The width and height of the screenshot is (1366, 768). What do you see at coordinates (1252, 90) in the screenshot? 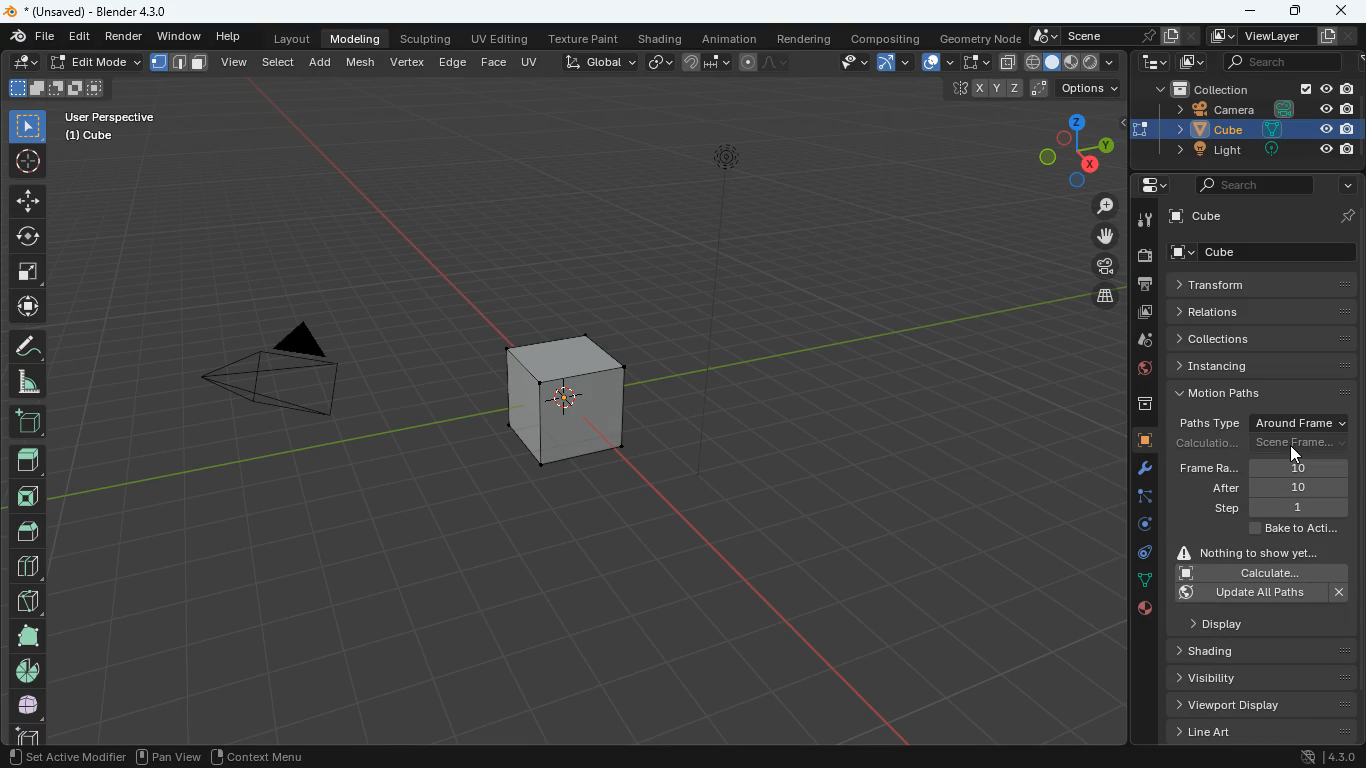
I see `collection` at bounding box center [1252, 90].